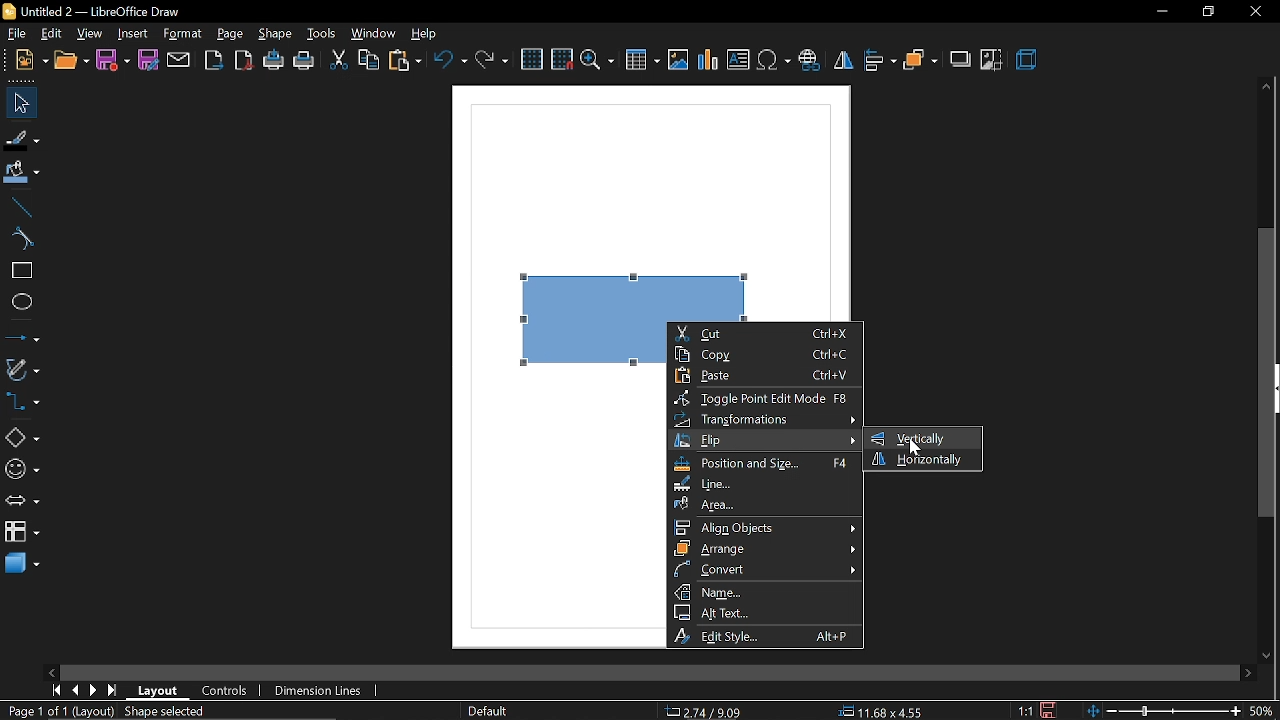 This screenshot has width=1280, height=720. I want to click on 50%, so click(1264, 711).